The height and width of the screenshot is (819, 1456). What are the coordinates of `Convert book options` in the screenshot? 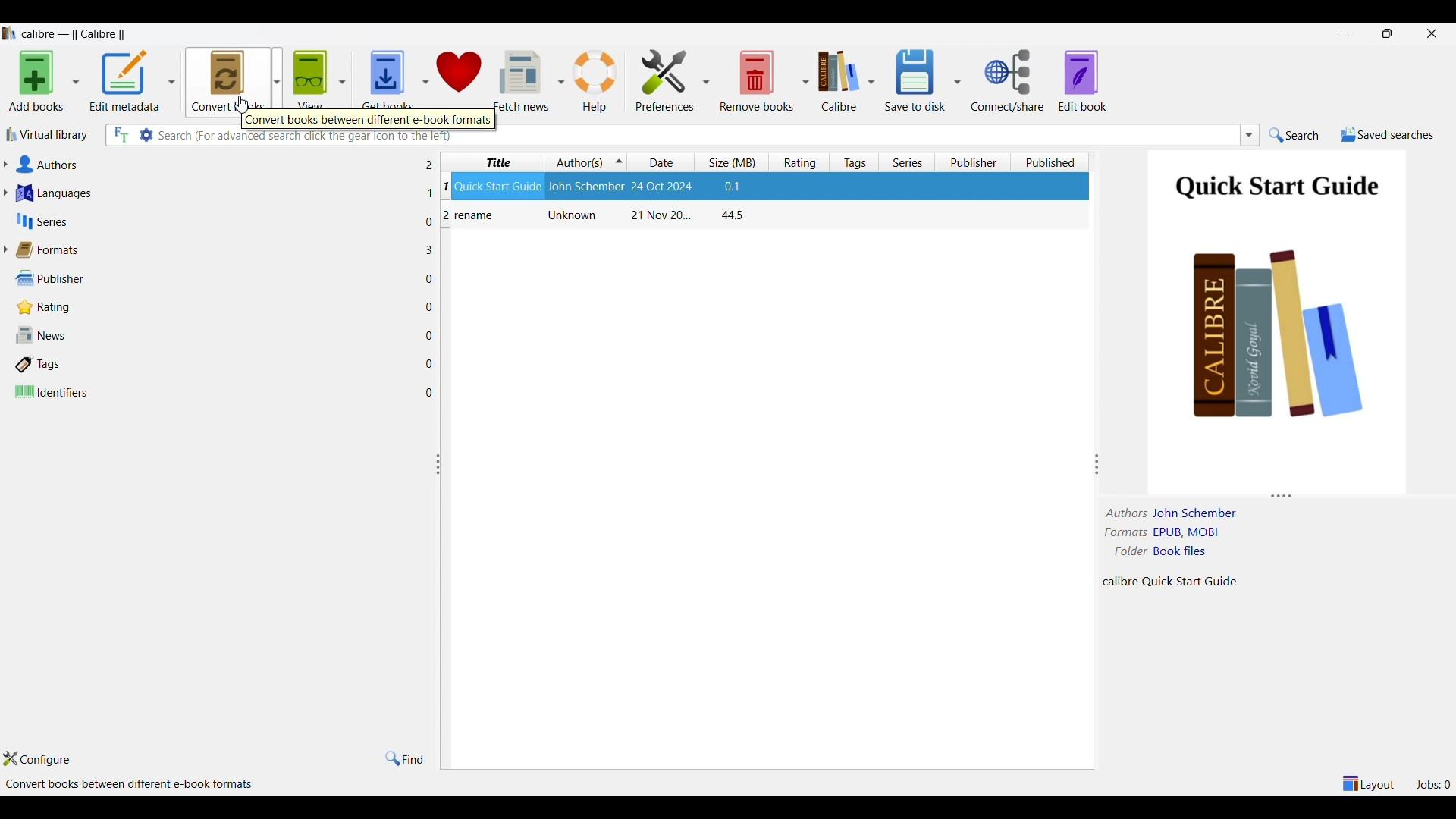 It's located at (277, 80).